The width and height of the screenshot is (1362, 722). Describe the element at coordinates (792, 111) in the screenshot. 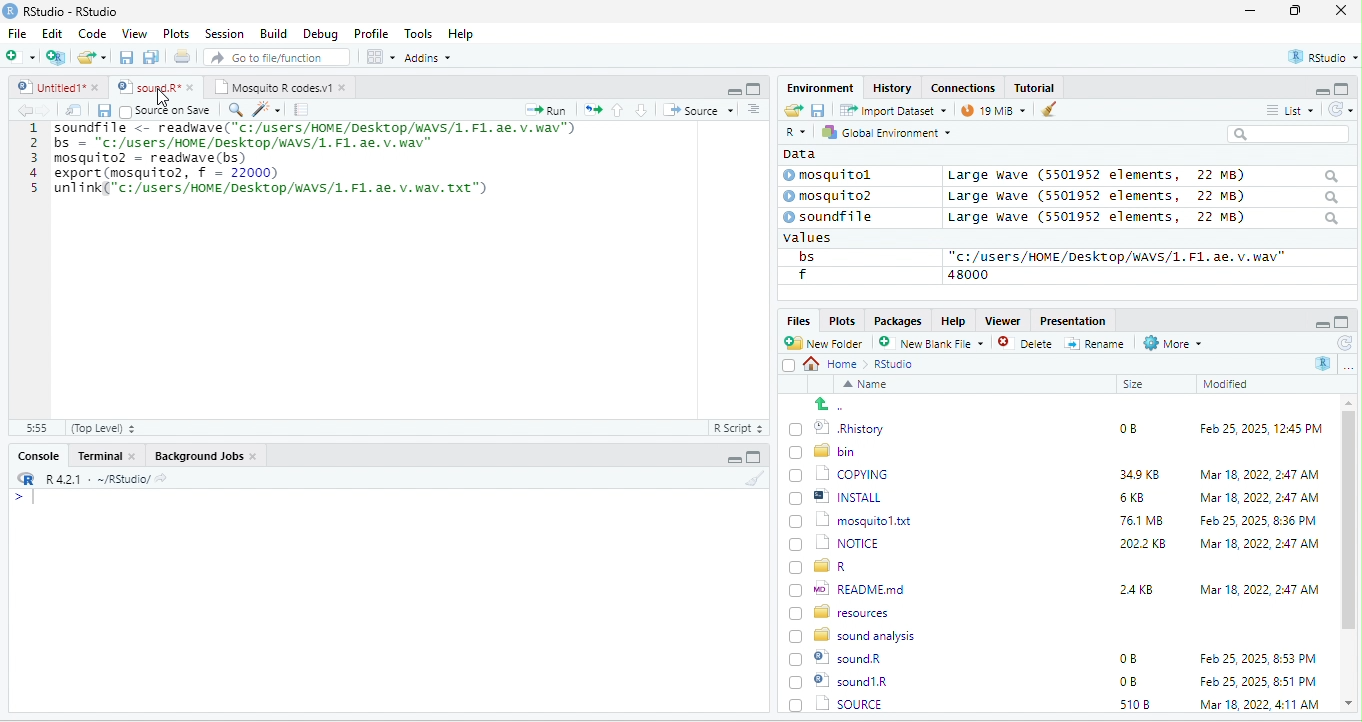

I see `open` at that location.